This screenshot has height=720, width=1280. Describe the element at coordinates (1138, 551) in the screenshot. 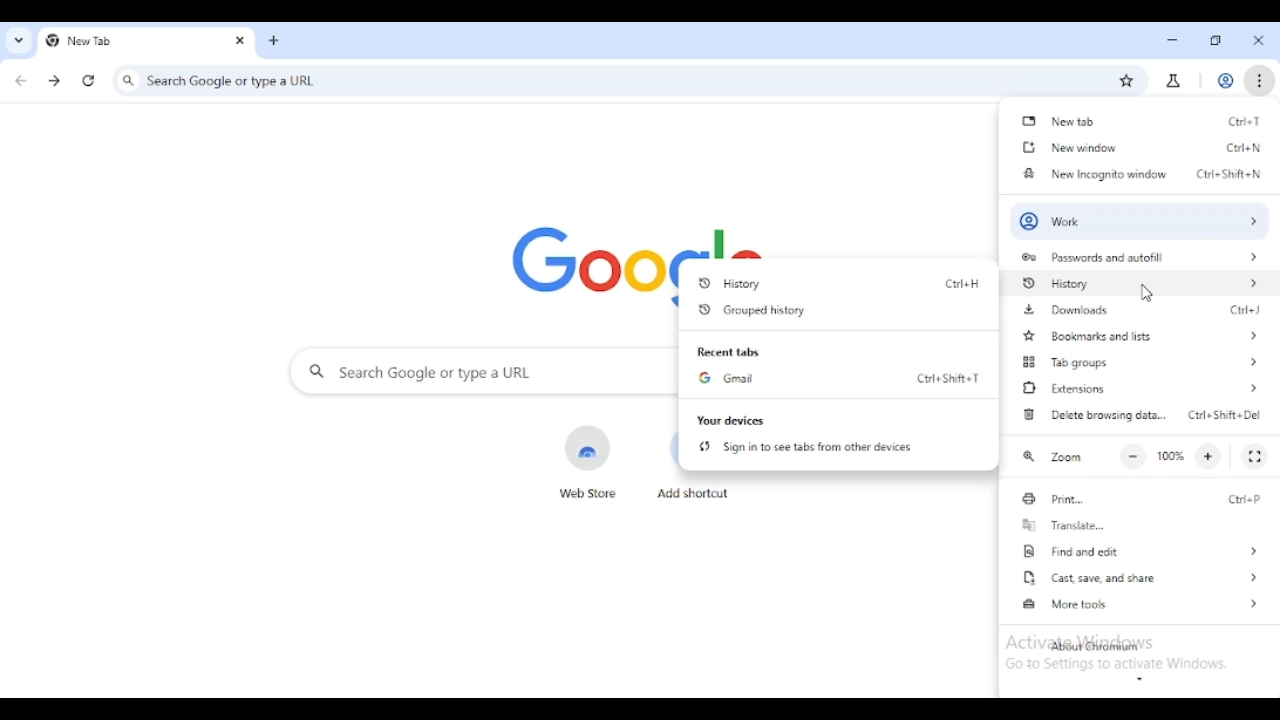

I see `find and edit` at that location.